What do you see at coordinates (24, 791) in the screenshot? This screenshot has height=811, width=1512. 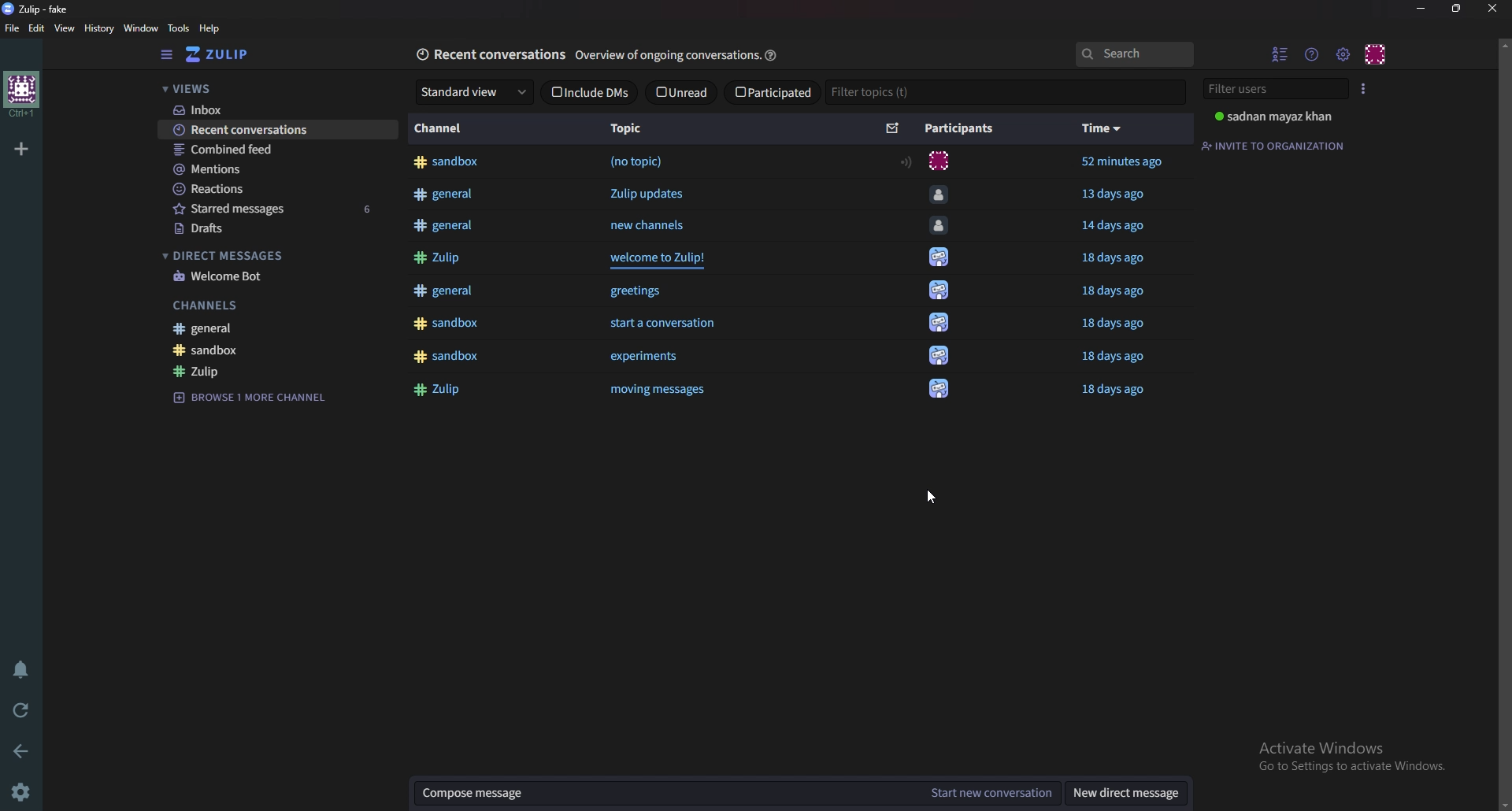 I see `settings` at bounding box center [24, 791].